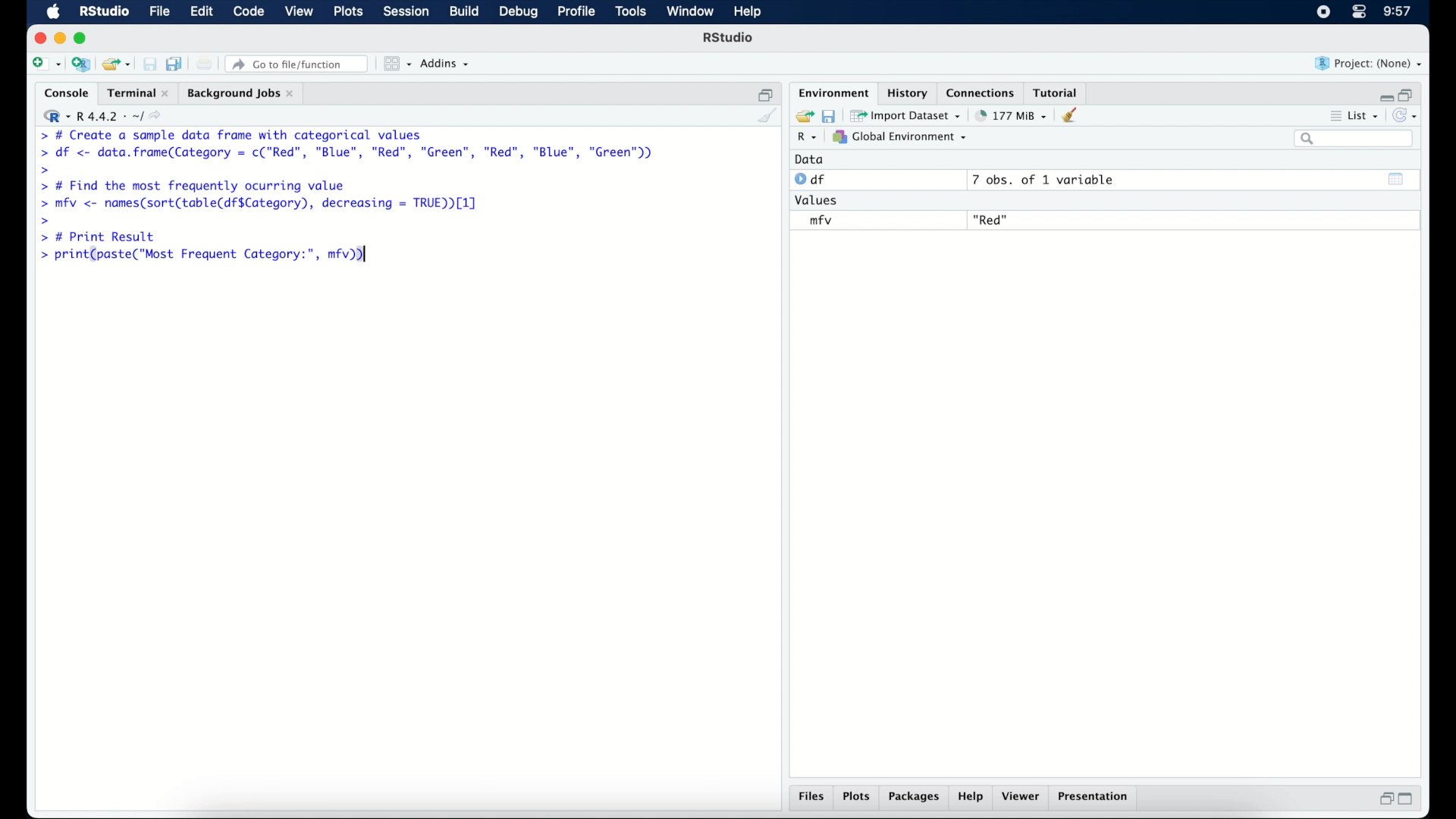 This screenshot has width=1456, height=819. What do you see at coordinates (63, 92) in the screenshot?
I see `console` at bounding box center [63, 92].